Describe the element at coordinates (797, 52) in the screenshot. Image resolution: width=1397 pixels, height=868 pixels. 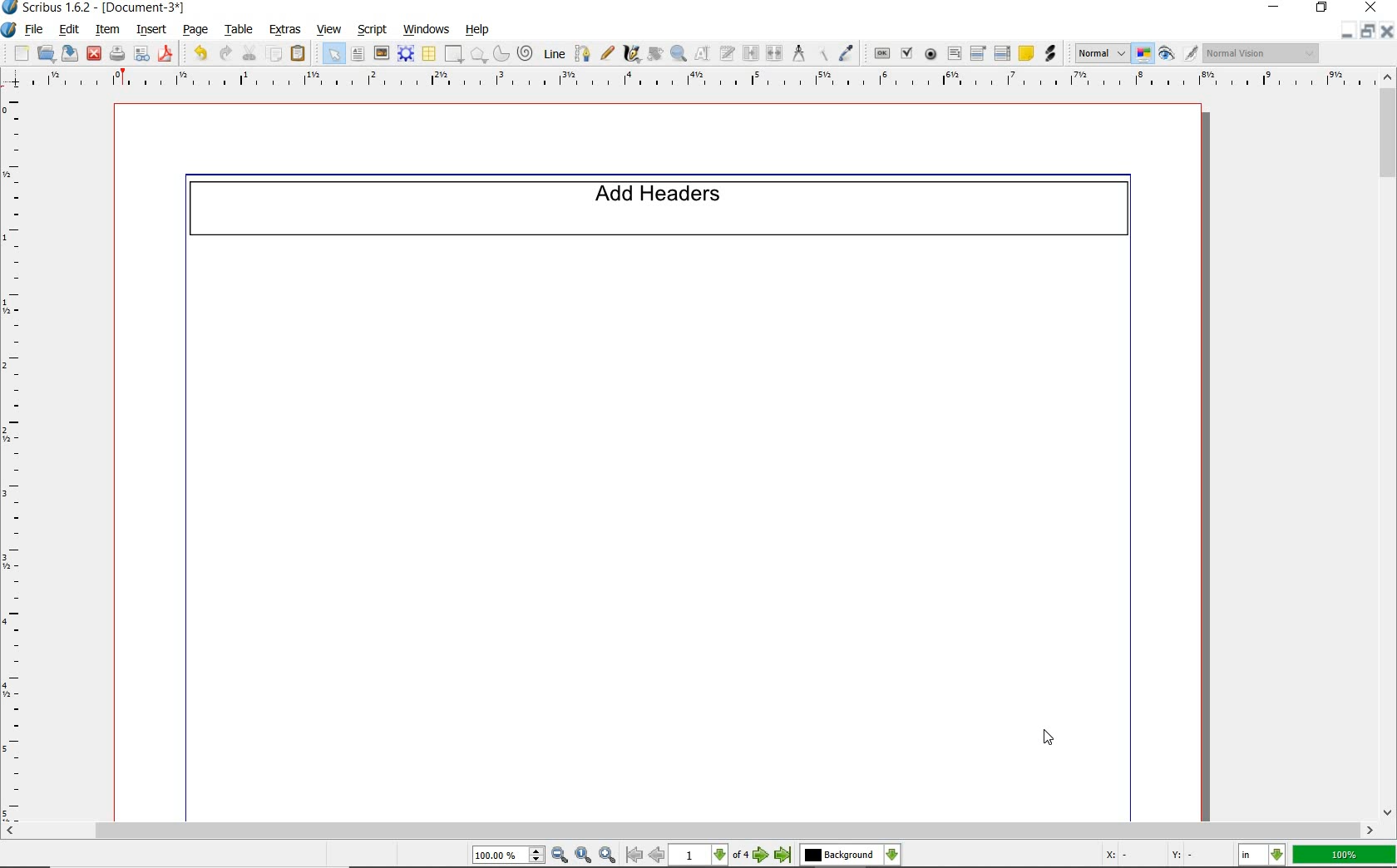
I see `measurements` at that location.